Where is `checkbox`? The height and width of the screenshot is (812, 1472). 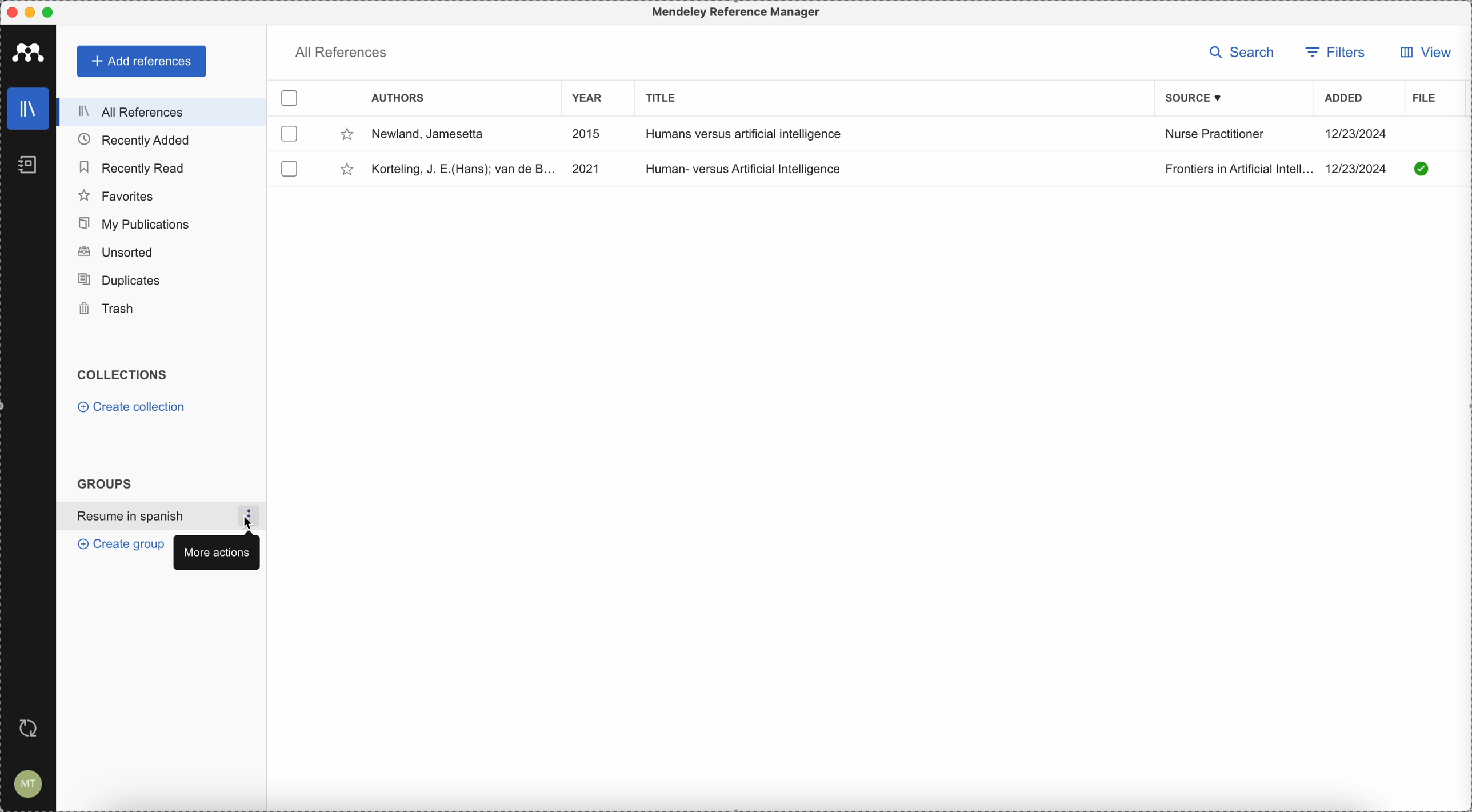
checkbox is located at coordinates (288, 135).